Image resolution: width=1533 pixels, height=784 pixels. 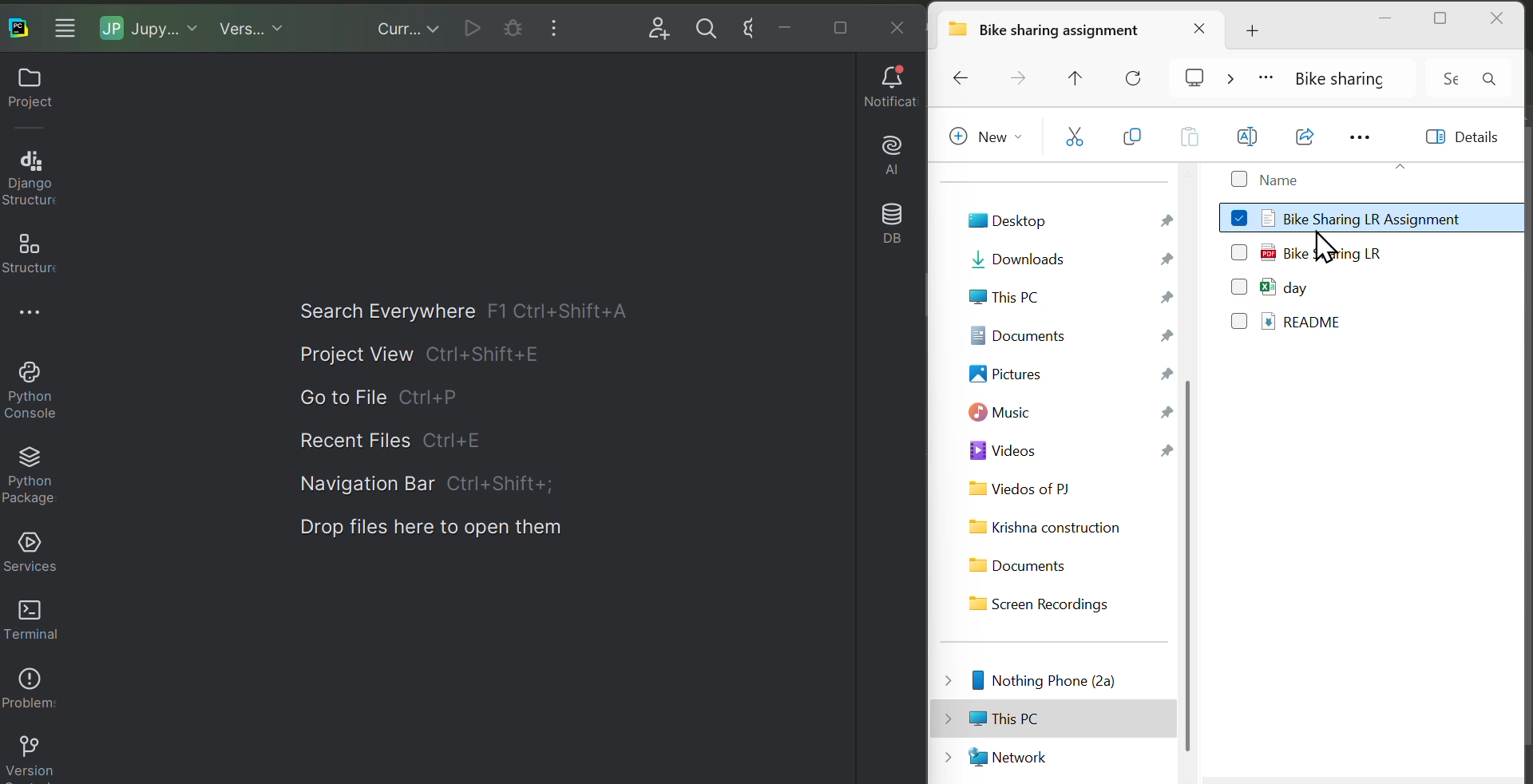 I want to click on Bike Sharing LR Assignment, so click(x=1373, y=214).